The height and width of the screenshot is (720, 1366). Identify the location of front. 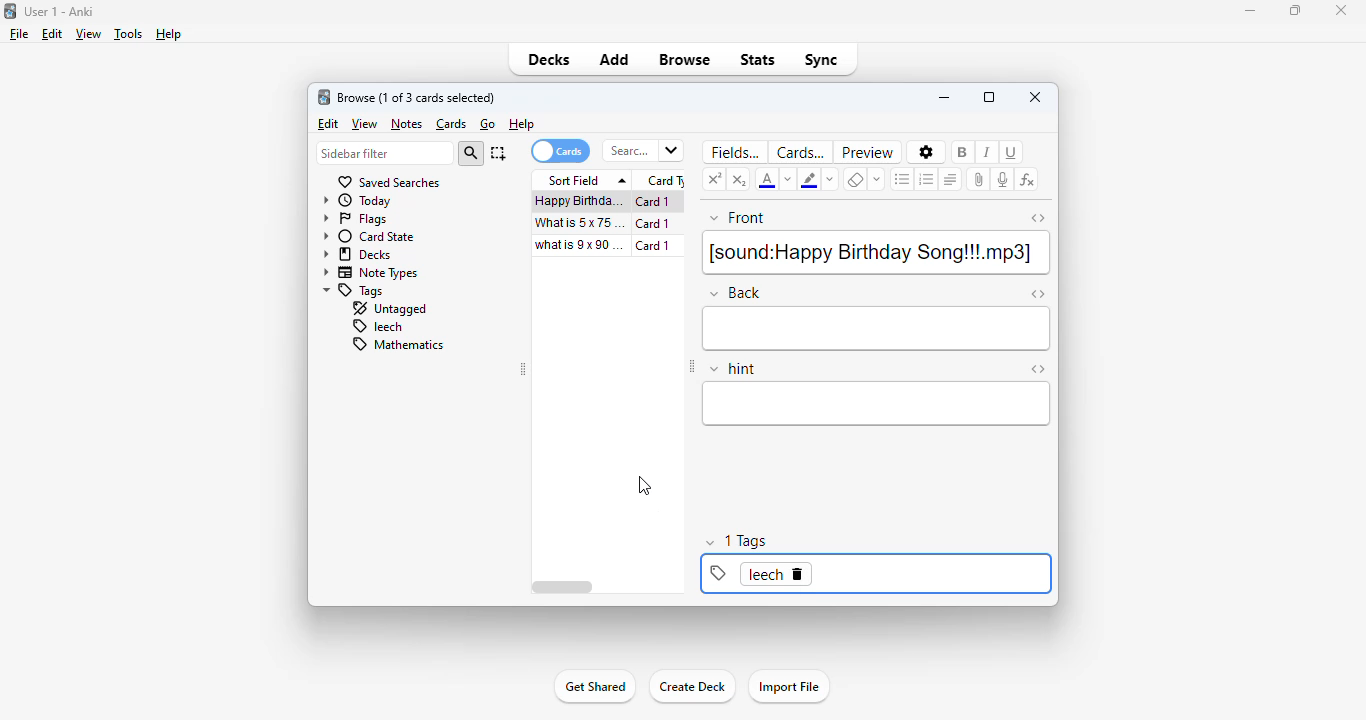
(738, 219).